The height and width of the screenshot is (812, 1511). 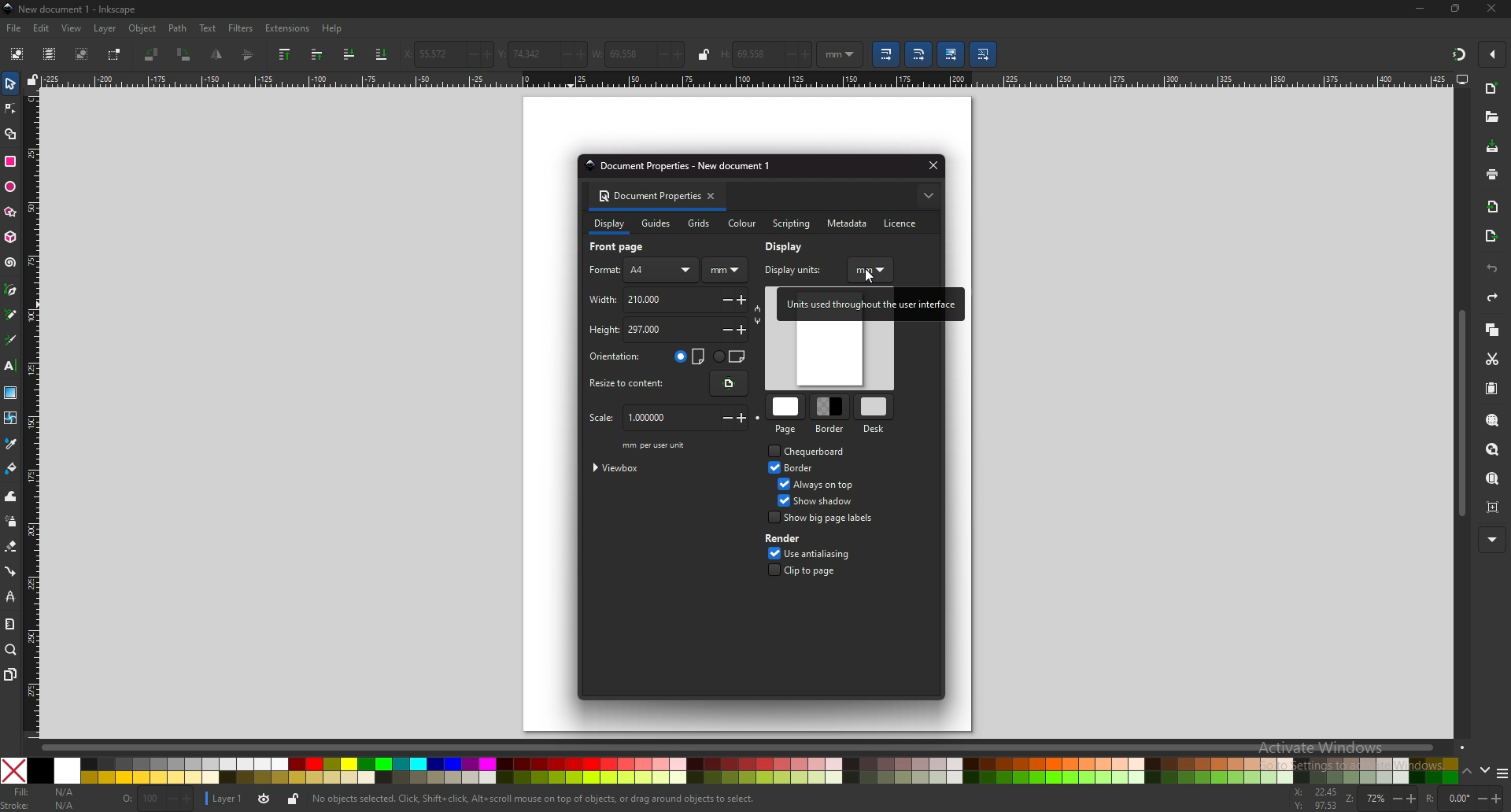 What do you see at coordinates (808, 55) in the screenshot?
I see `+` at bounding box center [808, 55].